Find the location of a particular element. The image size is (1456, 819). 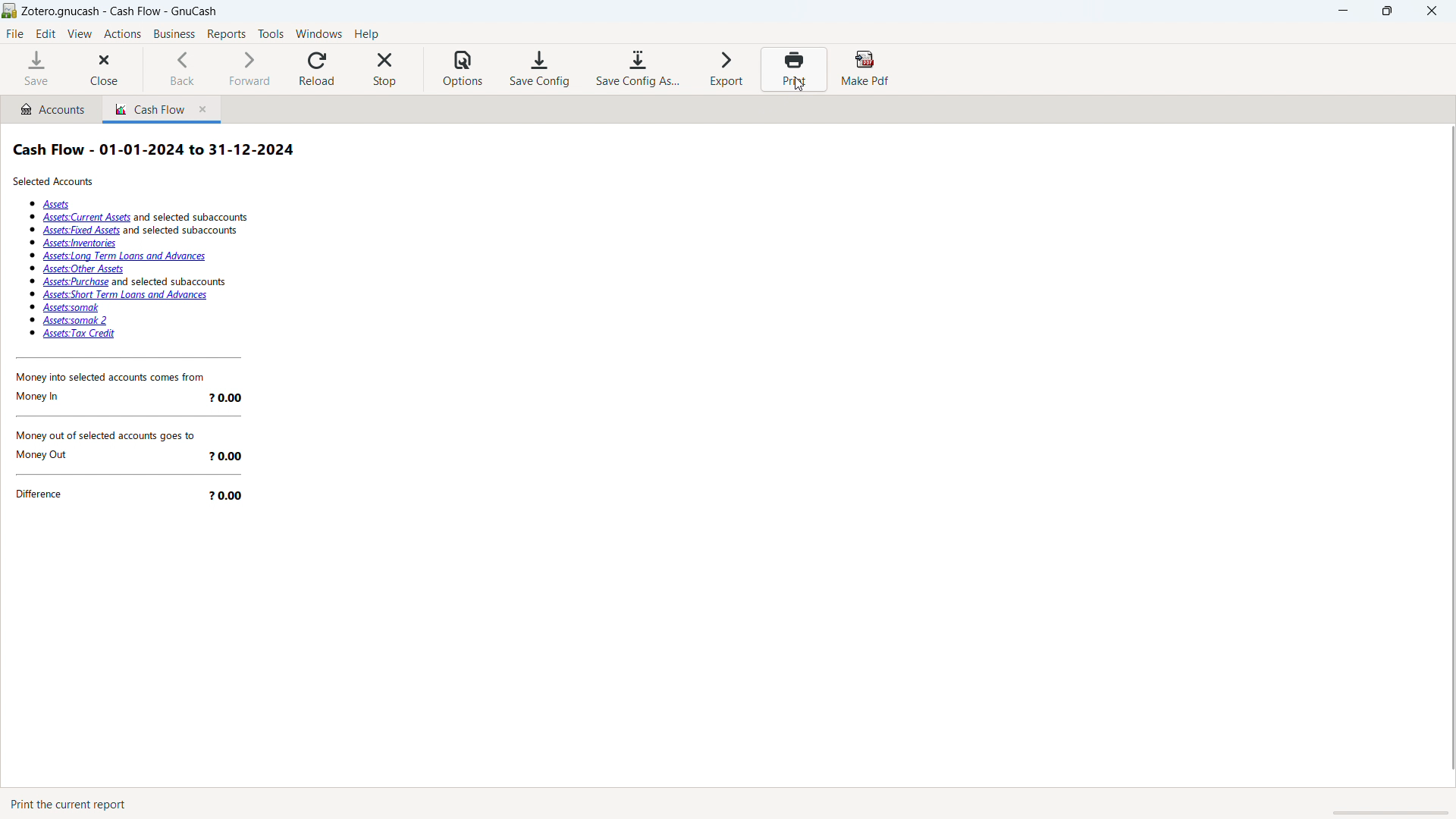

save is located at coordinates (38, 70).